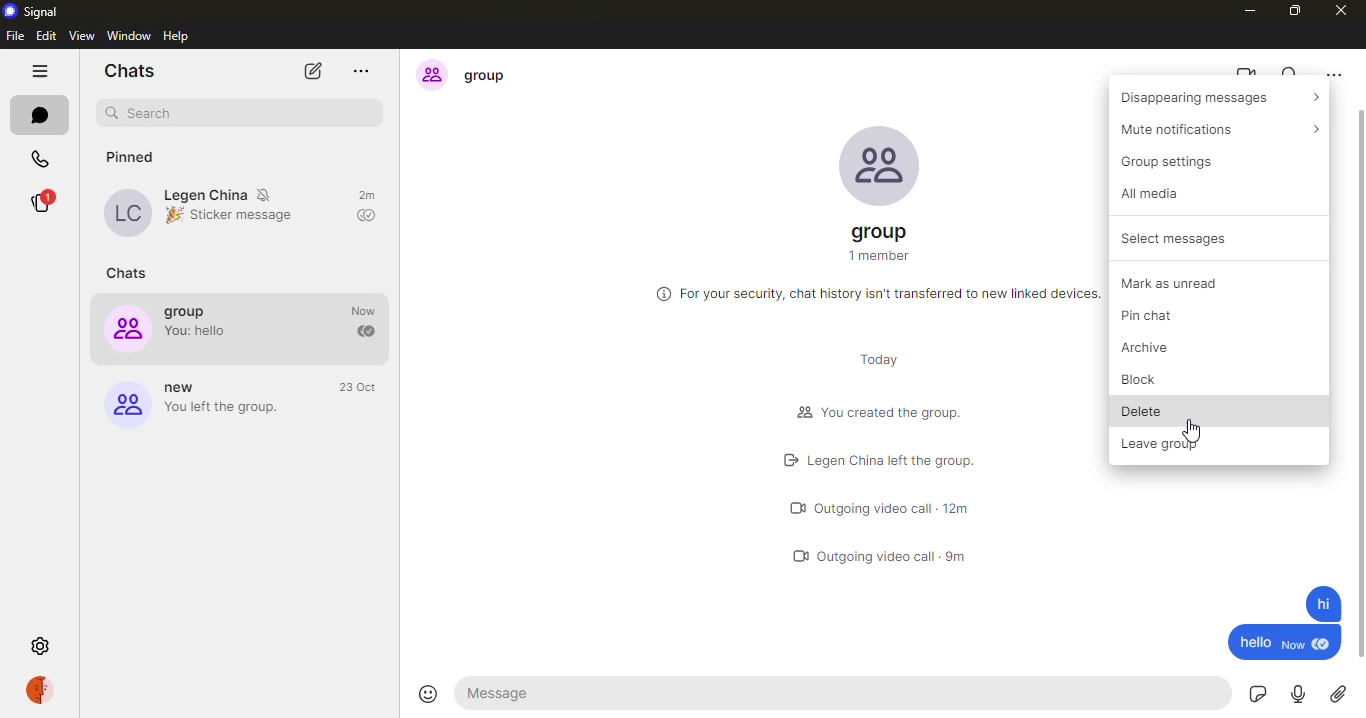  I want to click on you left the group., so click(226, 409).